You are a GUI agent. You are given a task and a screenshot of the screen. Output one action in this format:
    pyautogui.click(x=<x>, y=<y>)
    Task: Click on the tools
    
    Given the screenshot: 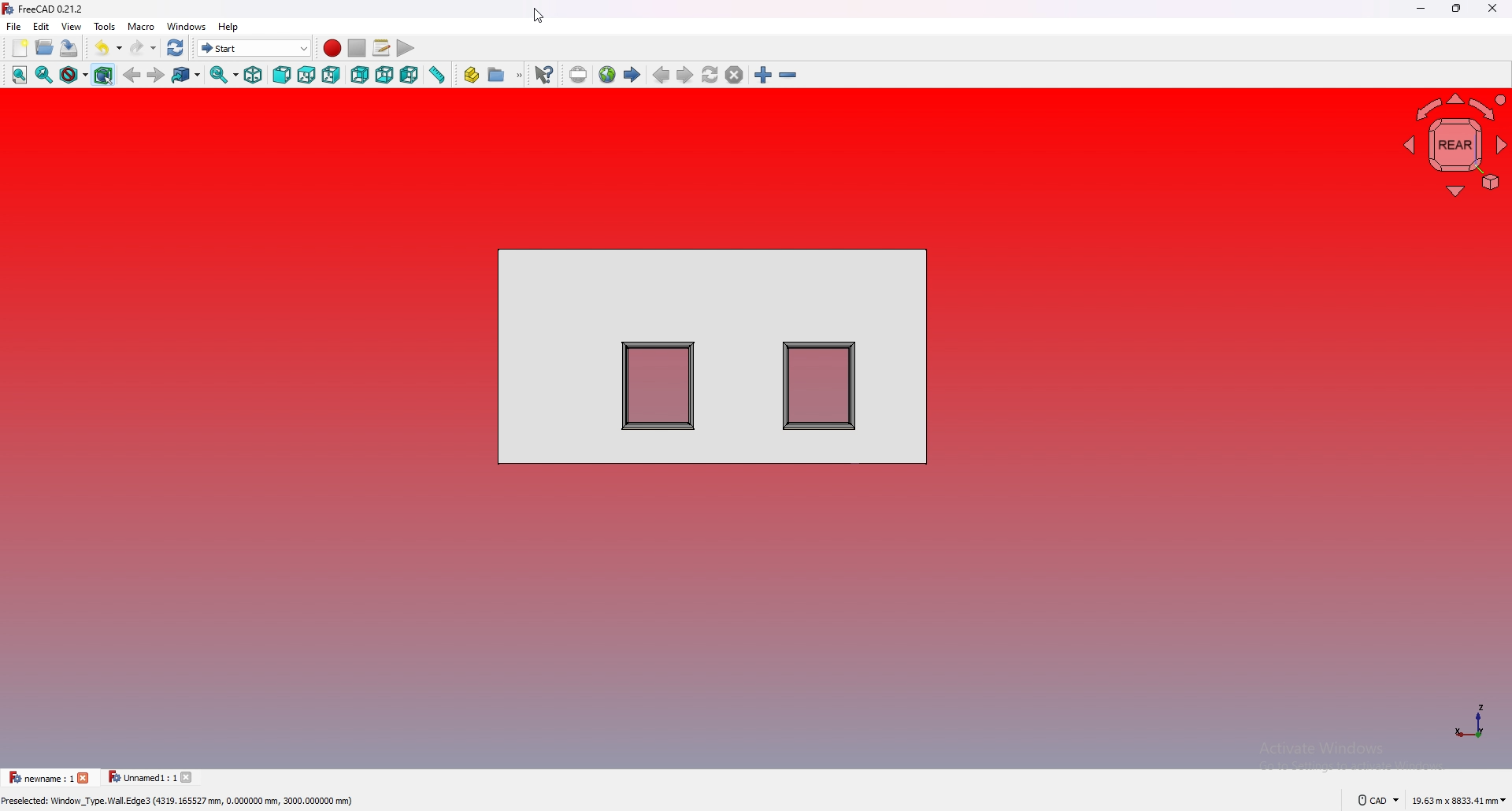 What is the action you would take?
    pyautogui.click(x=105, y=26)
    